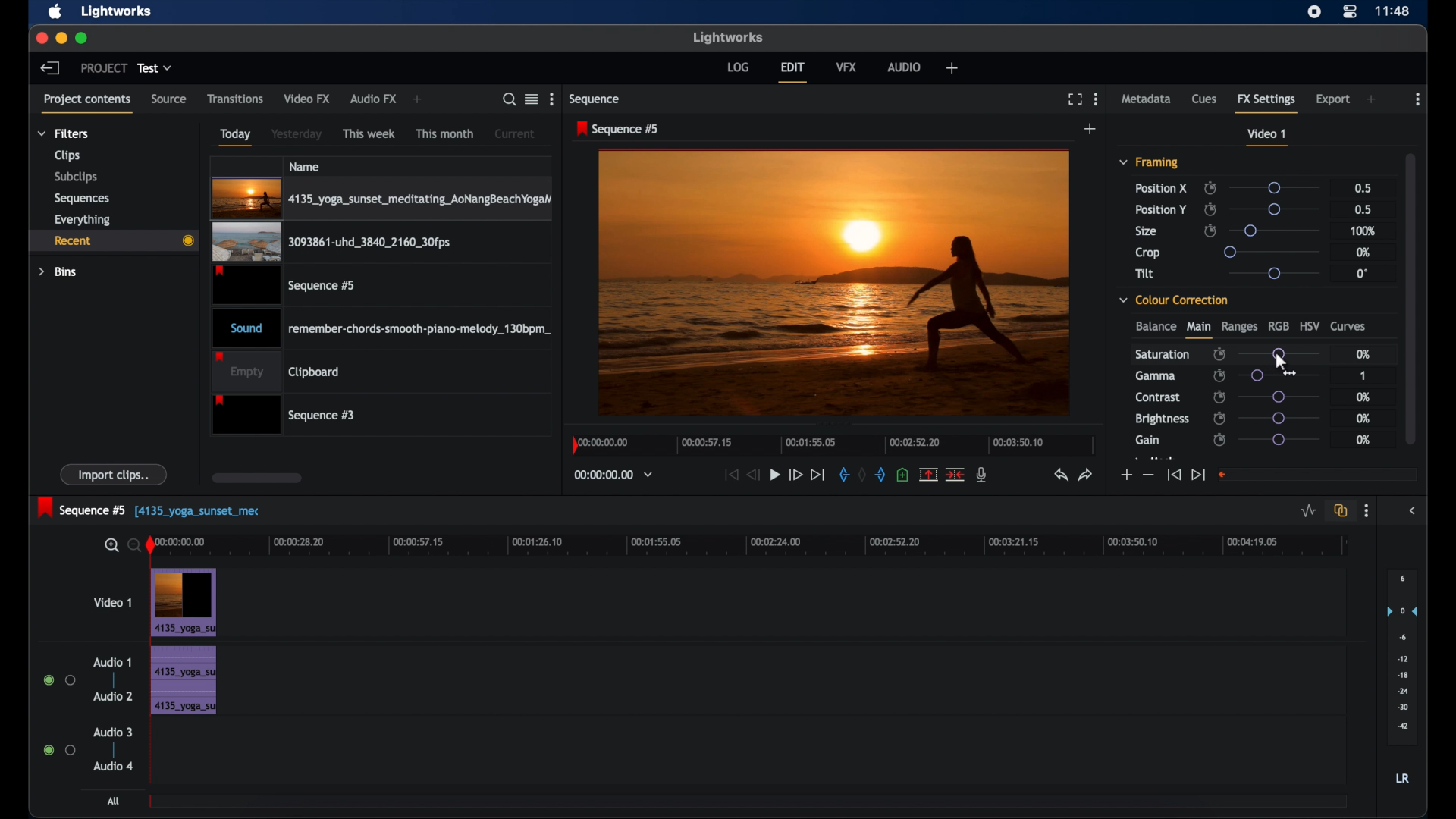  Describe the element at coordinates (117, 12) in the screenshot. I see `lightworks` at that location.